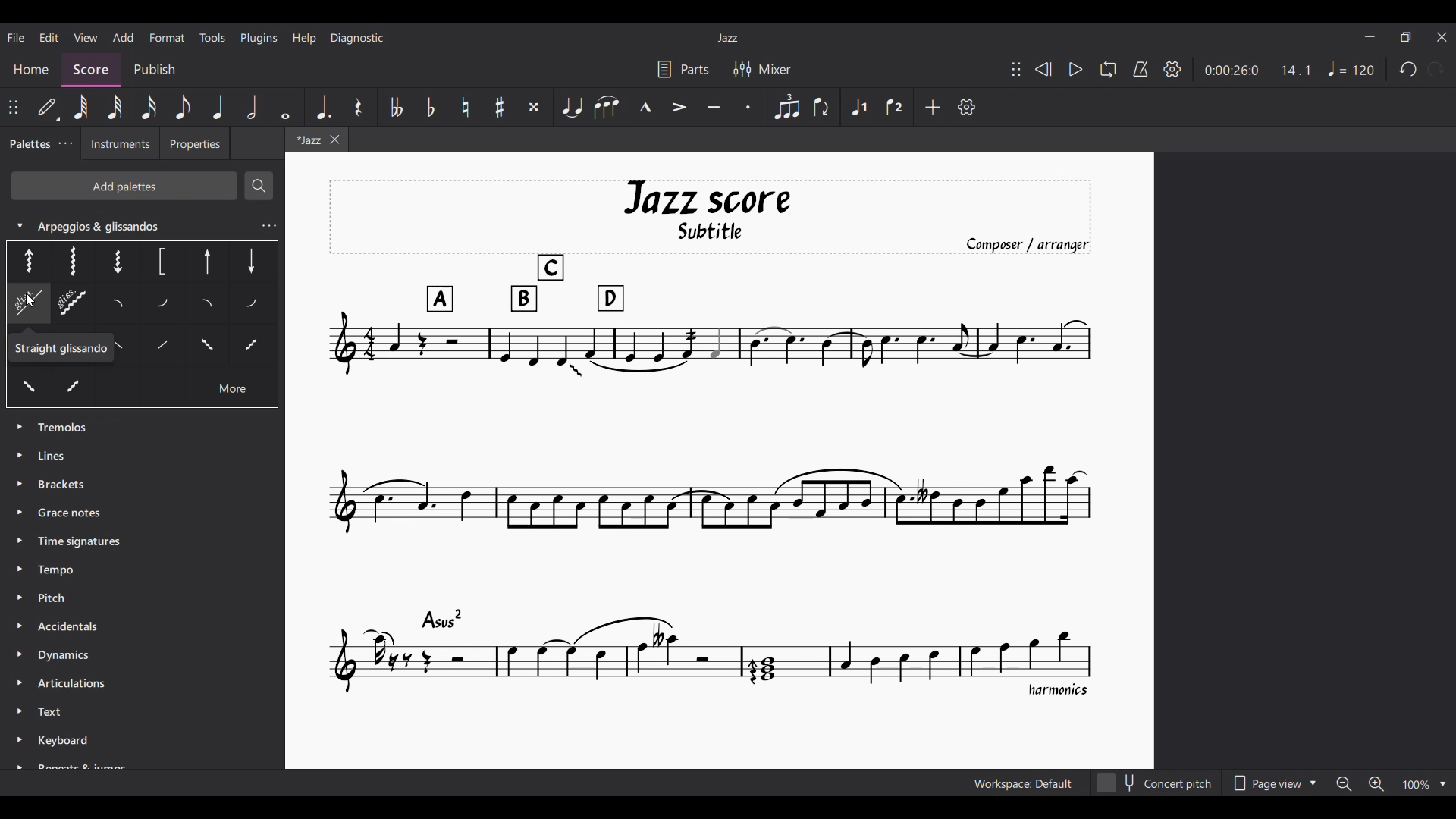  Describe the element at coordinates (58, 571) in the screenshot. I see `Tempo` at that location.